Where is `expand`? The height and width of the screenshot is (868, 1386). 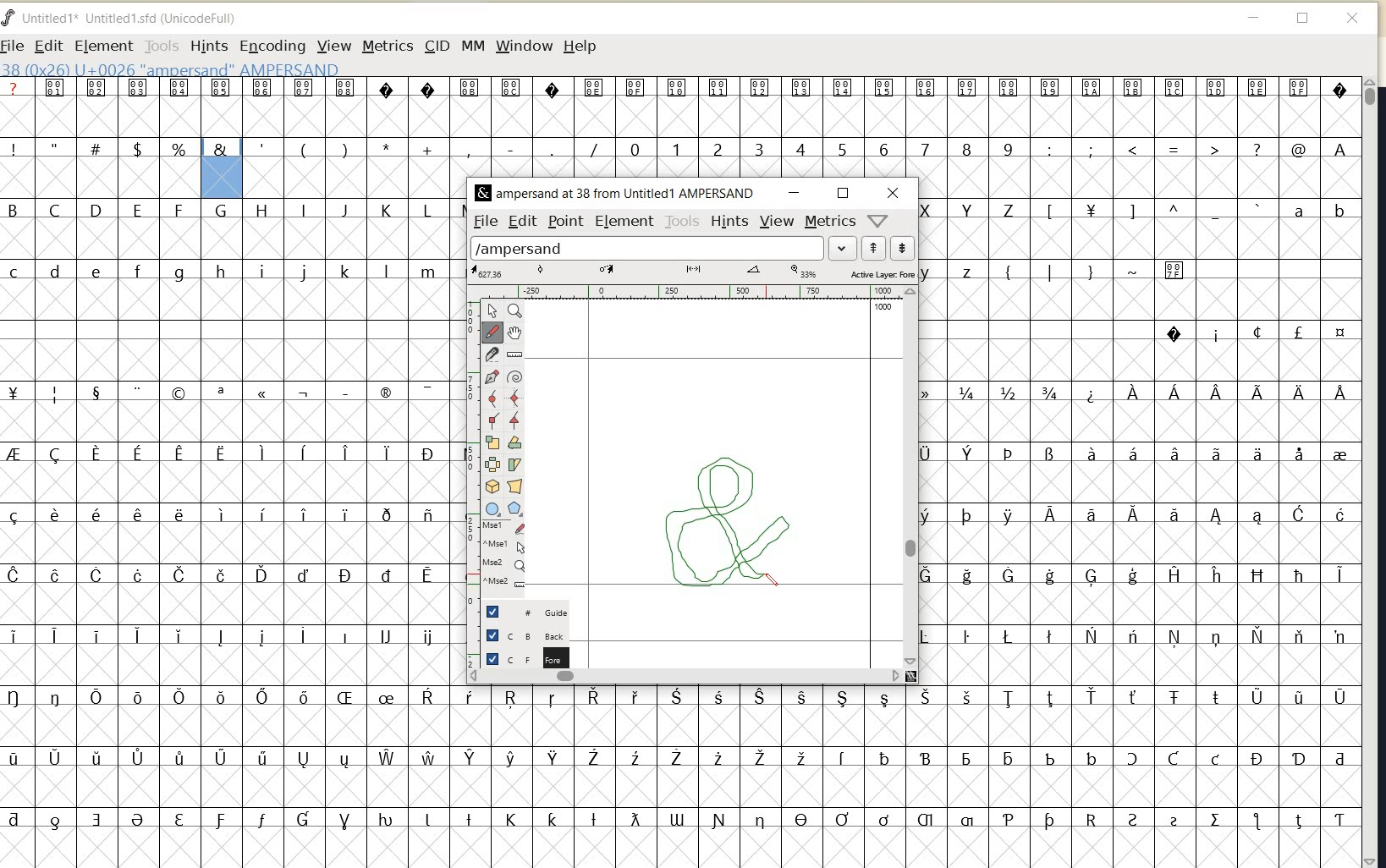 expand is located at coordinates (844, 248).